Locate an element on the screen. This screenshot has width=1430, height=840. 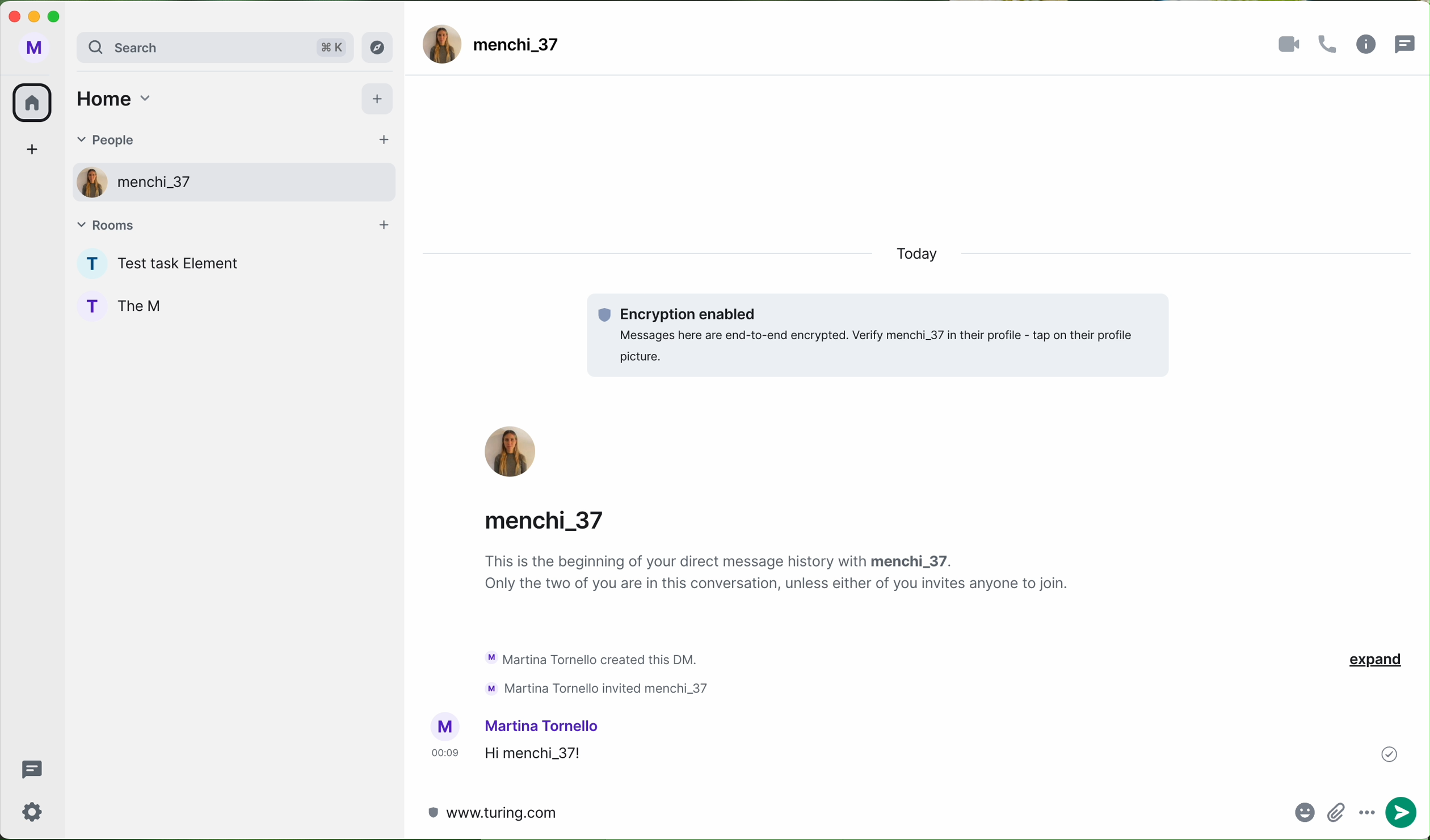
videocall is located at coordinates (1290, 44).